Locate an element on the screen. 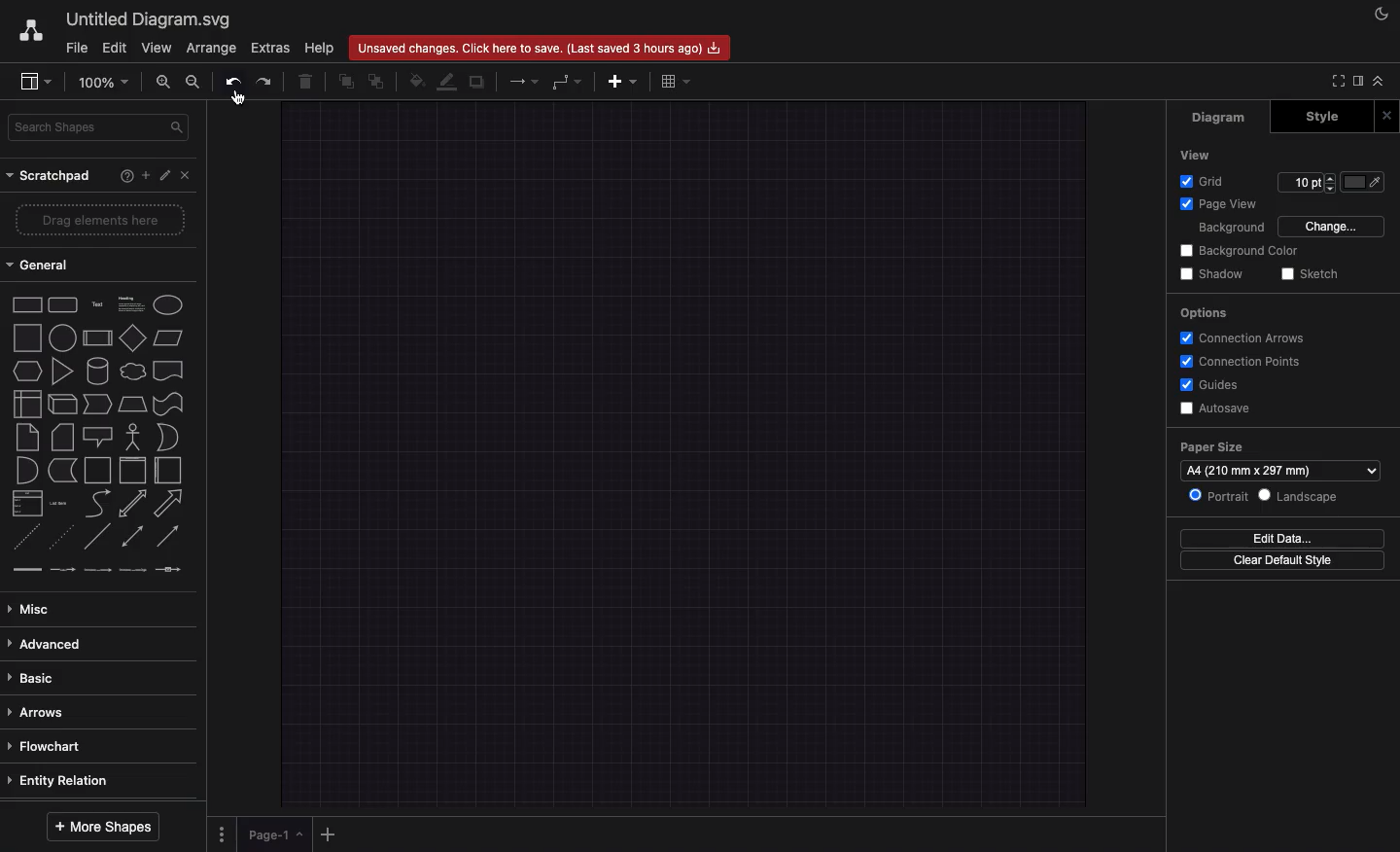 The height and width of the screenshot is (852, 1400). Extras is located at coordinates (270, 49).